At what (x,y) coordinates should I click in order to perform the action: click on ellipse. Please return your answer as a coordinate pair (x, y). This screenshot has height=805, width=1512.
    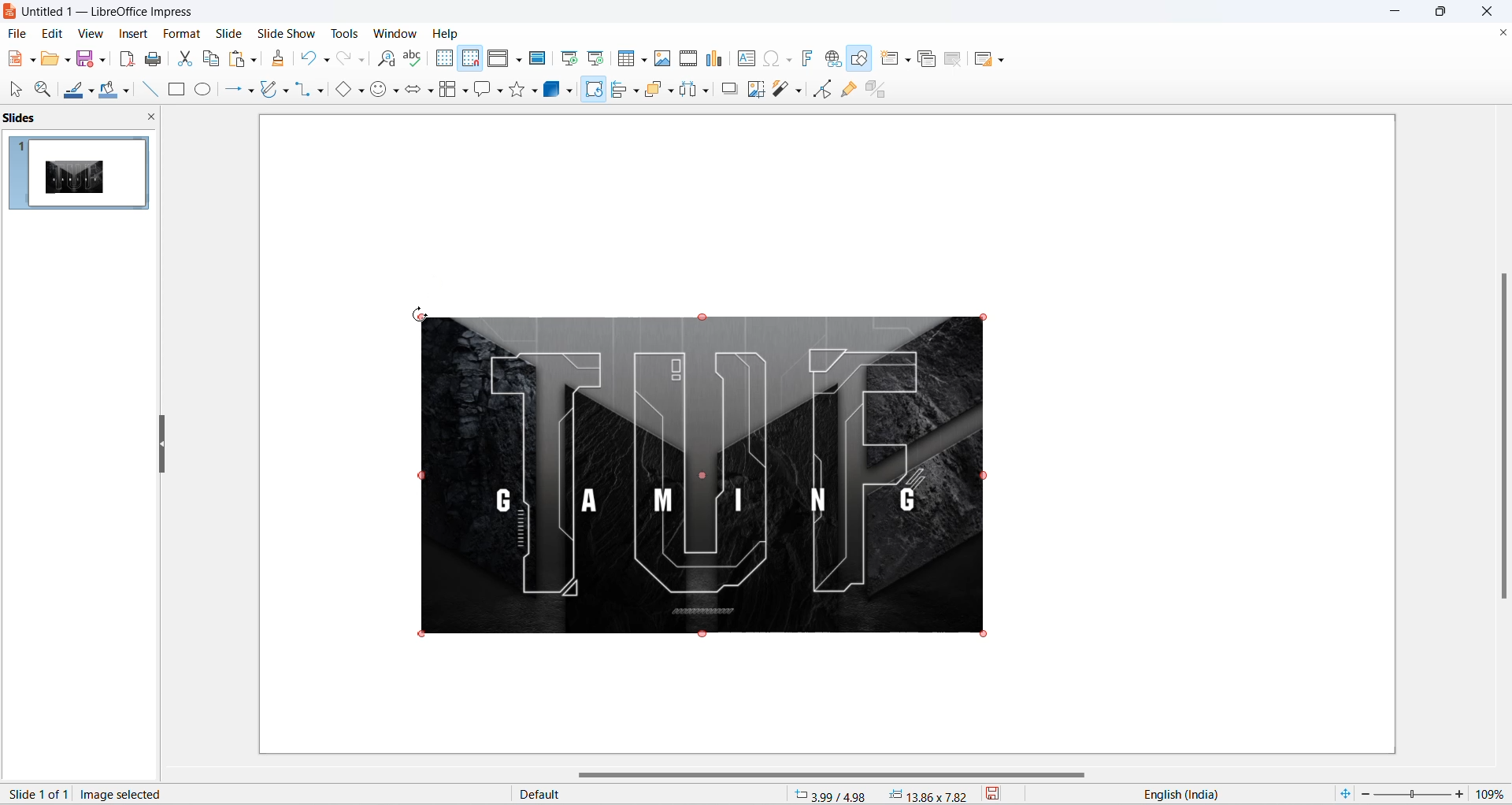
    Looking at the image, I should click on (205, 89).